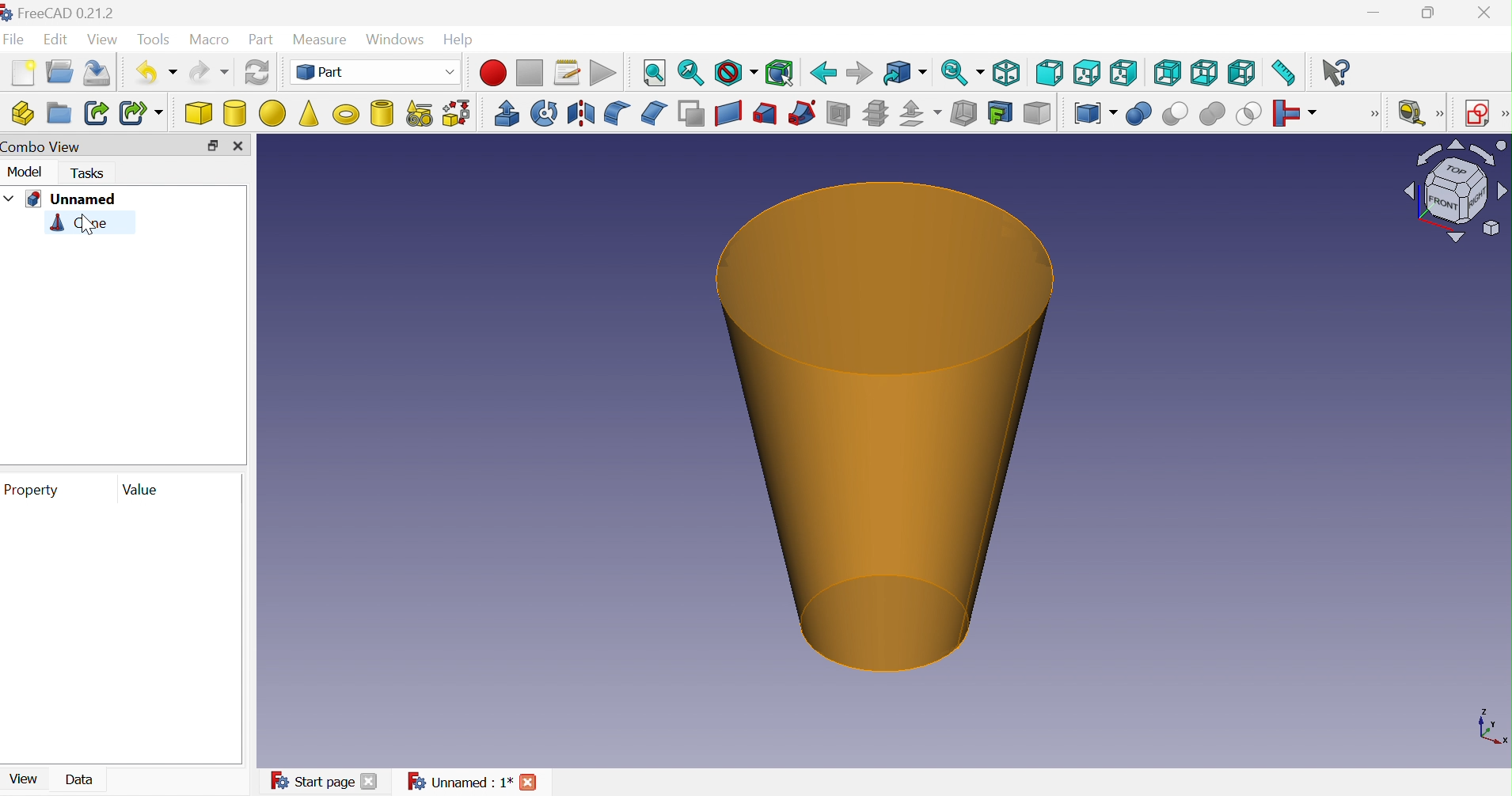 The image size is (1512, 796). What do you see at coordinates (9, 198) in the screenshot?
I see `Drop down` at bounding box center [9, 198].